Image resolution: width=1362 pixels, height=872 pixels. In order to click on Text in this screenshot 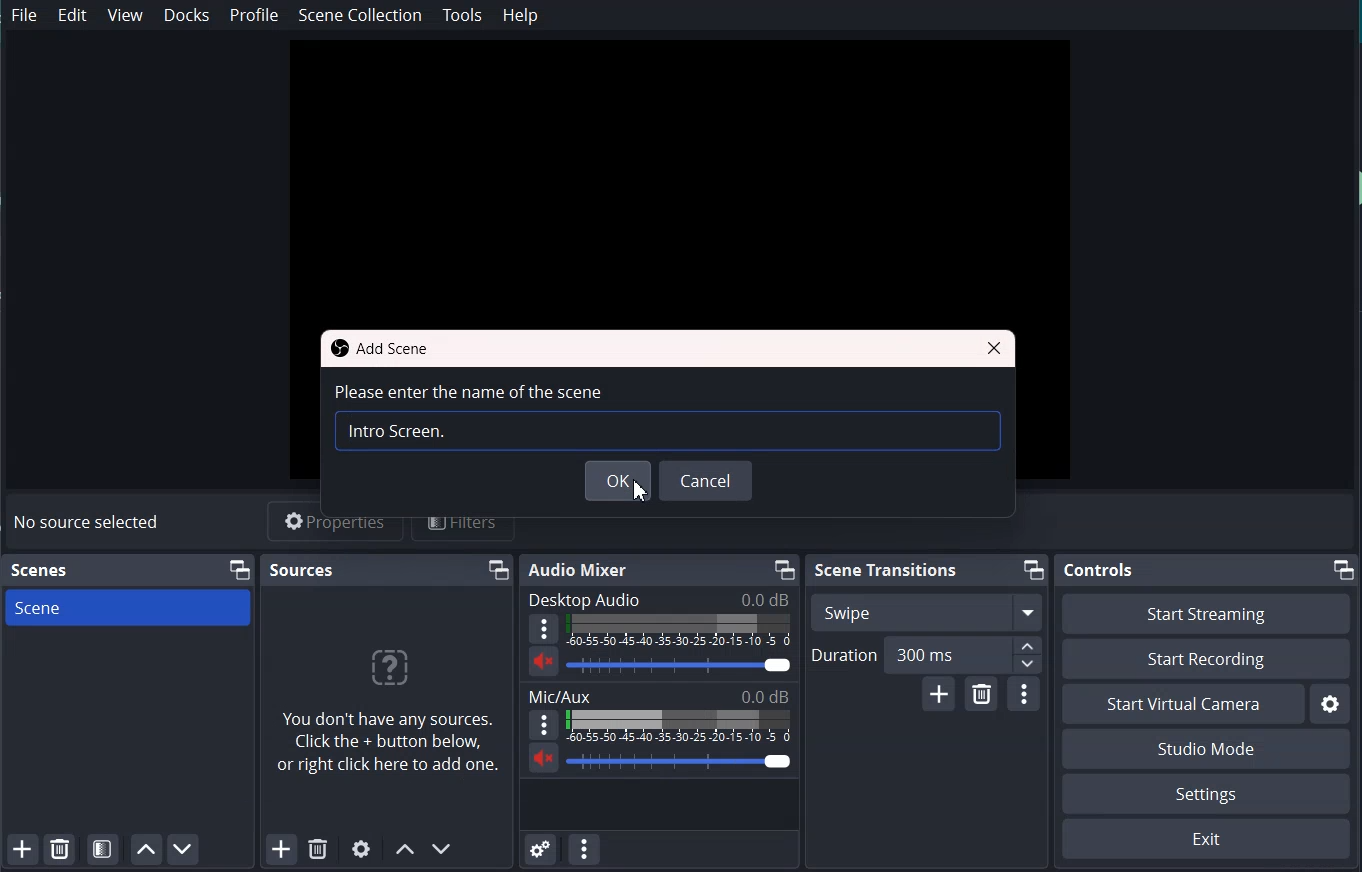, I will do `click(398, 431)`.